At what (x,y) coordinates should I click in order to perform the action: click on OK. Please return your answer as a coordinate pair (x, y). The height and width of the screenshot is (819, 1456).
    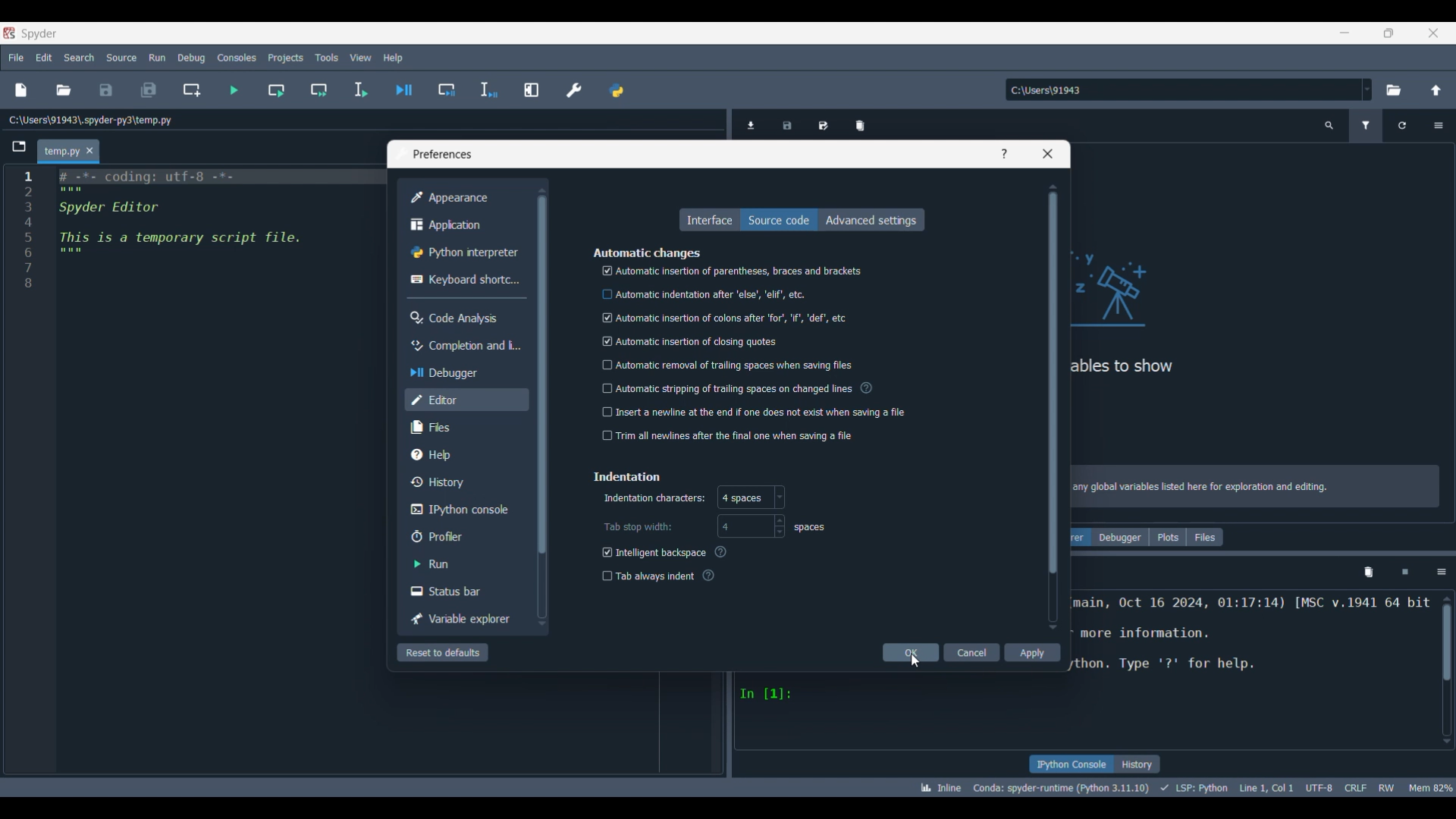
    Looking at the image, I should click on (910, 652).